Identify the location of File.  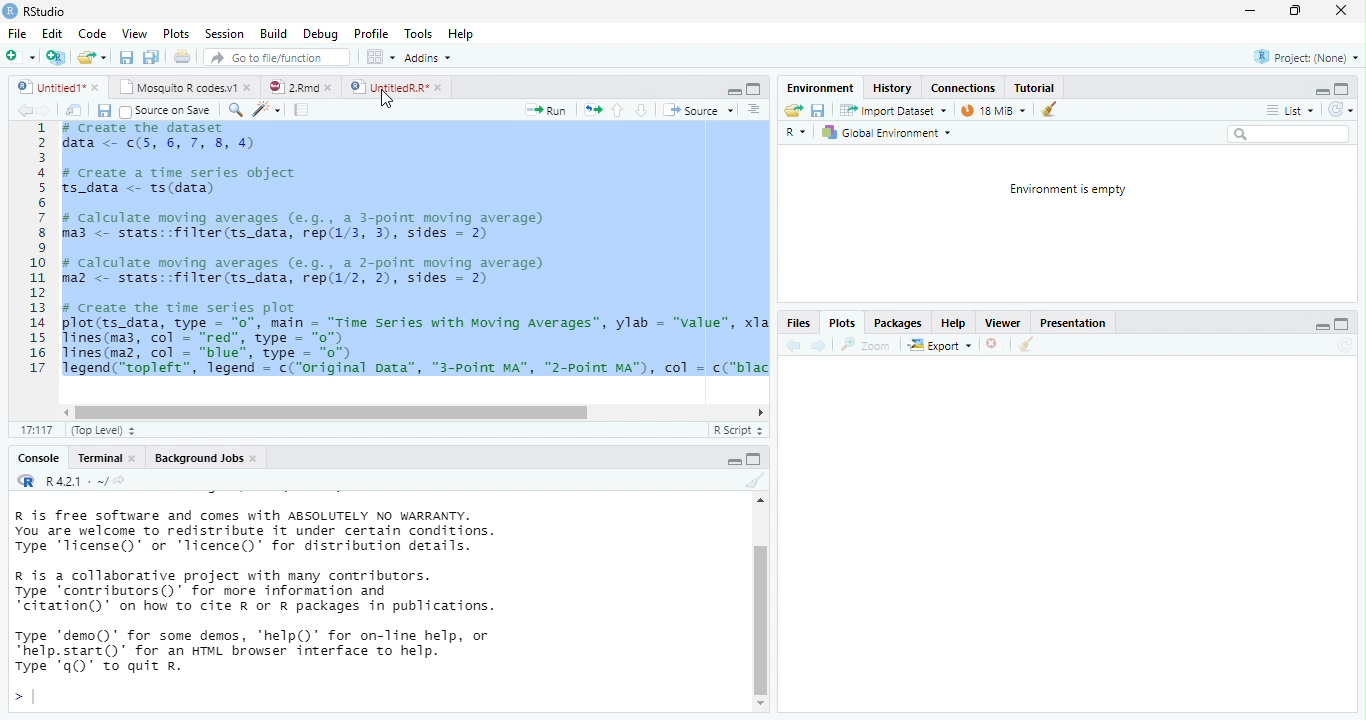
(16, 34).